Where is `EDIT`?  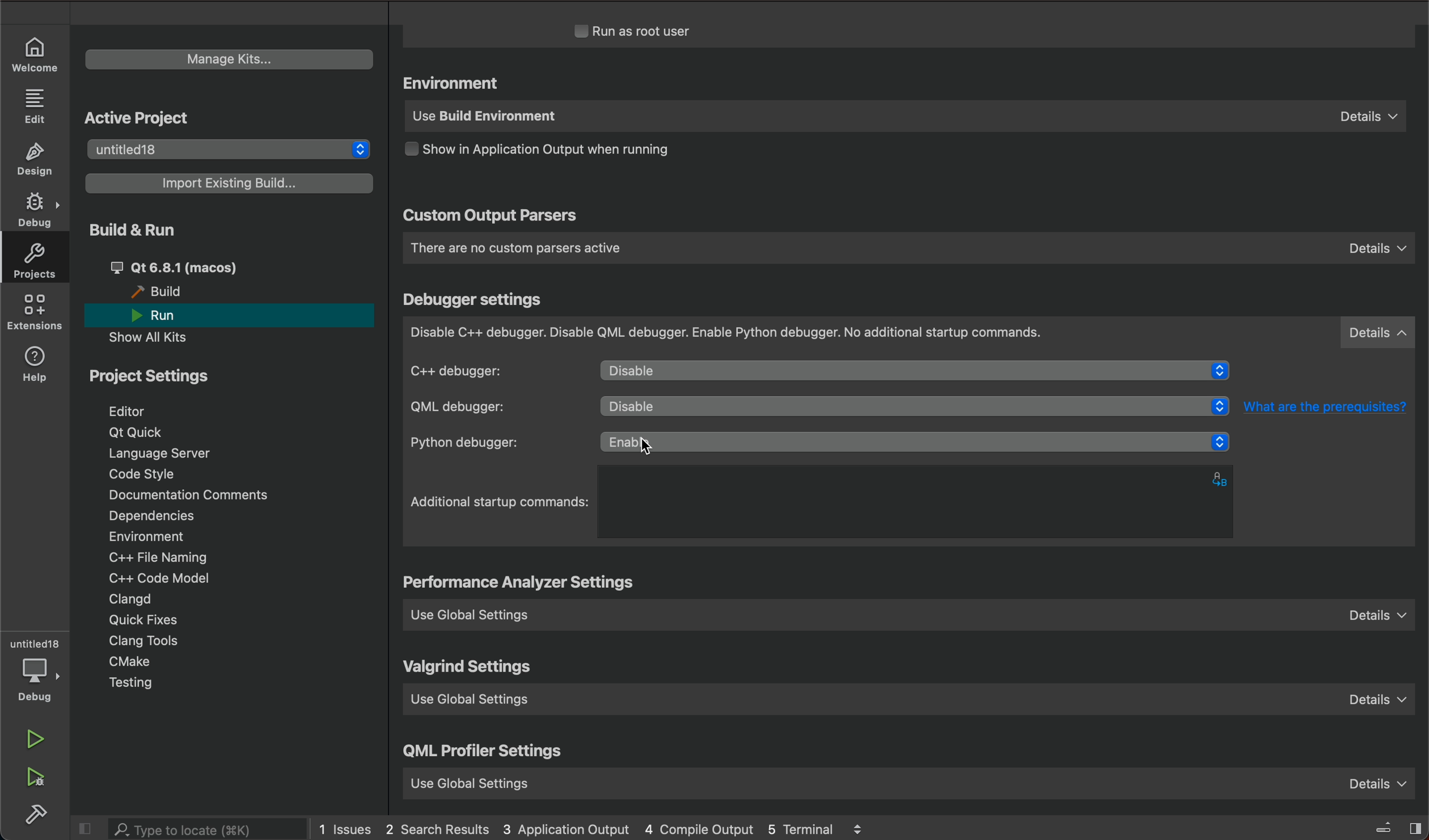 EDIT is located at coordinates (37, 105).